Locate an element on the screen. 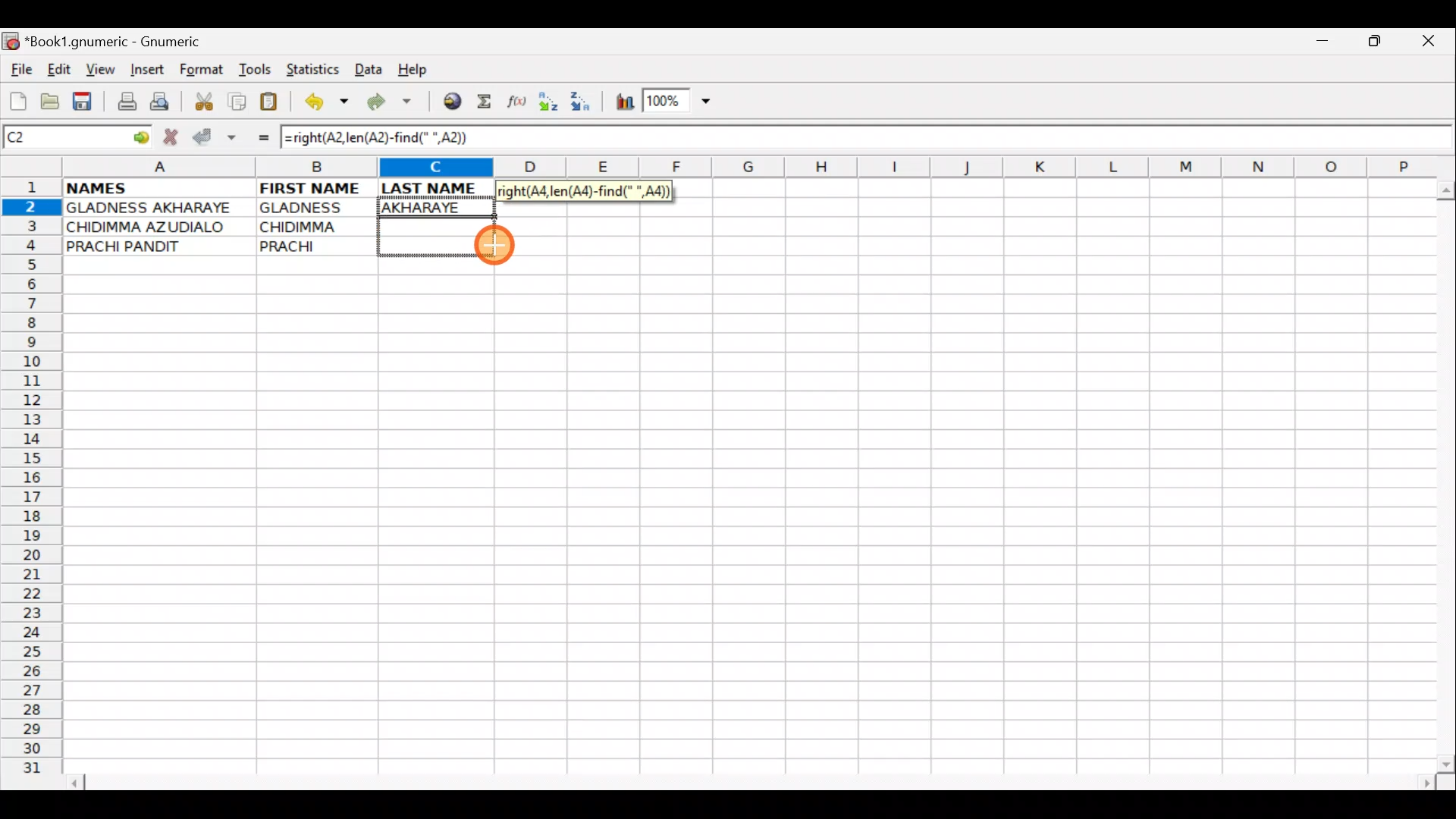  =right(A2, len(A2)-find(" ",A2)) is located at coordinates (584, 191).